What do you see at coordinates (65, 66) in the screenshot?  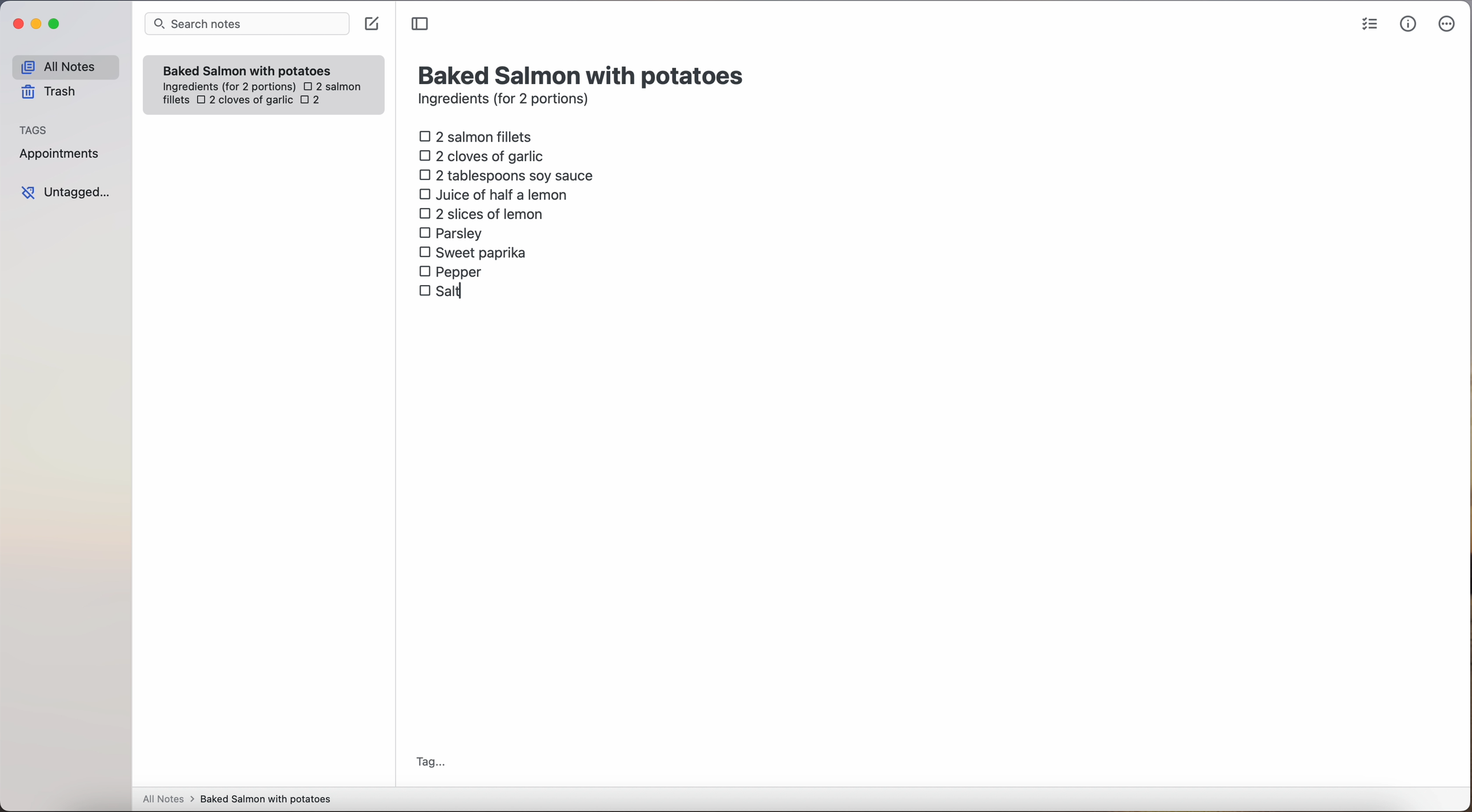 I see `all notes` at bounding box center [65, 66].